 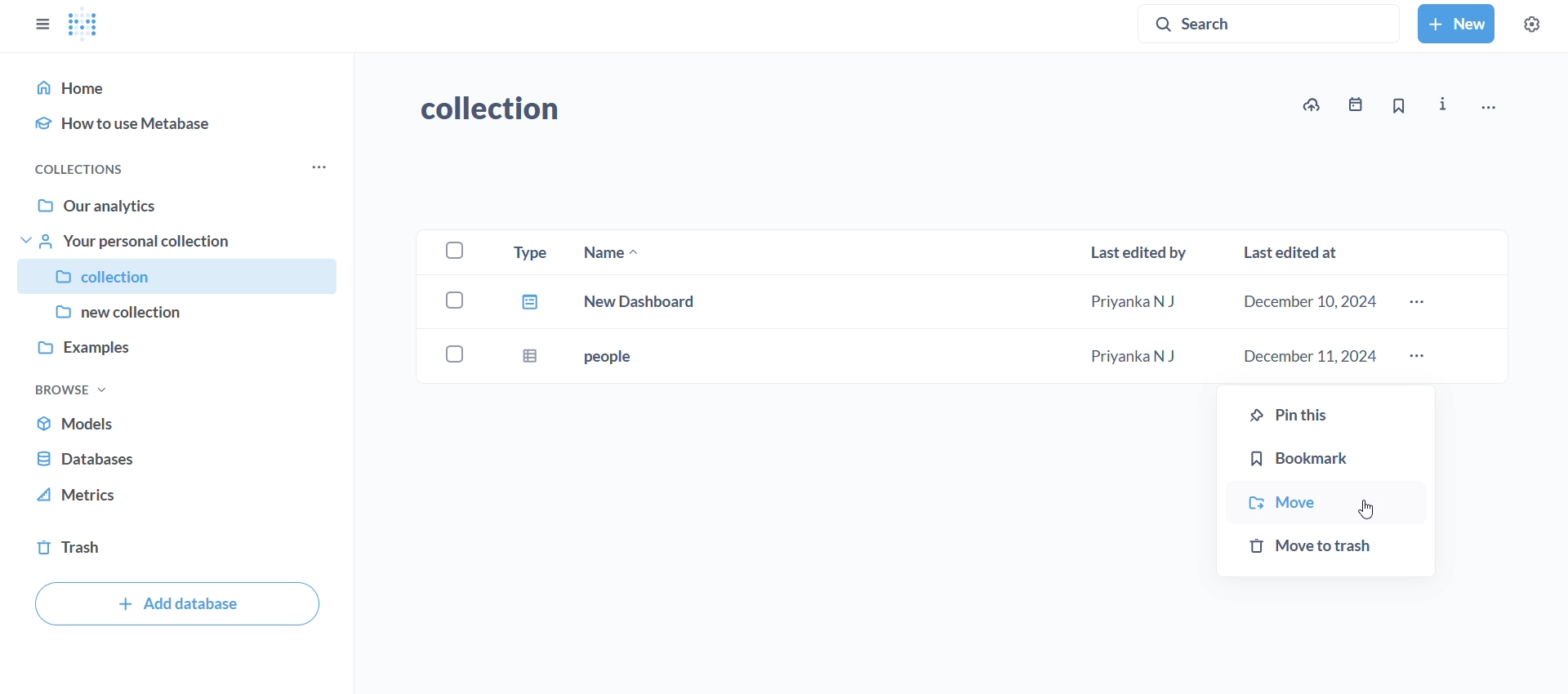 What do you see at coordinates (1325, 502) in the screenshot?
I see `move` at bounding box center [1325, 502].